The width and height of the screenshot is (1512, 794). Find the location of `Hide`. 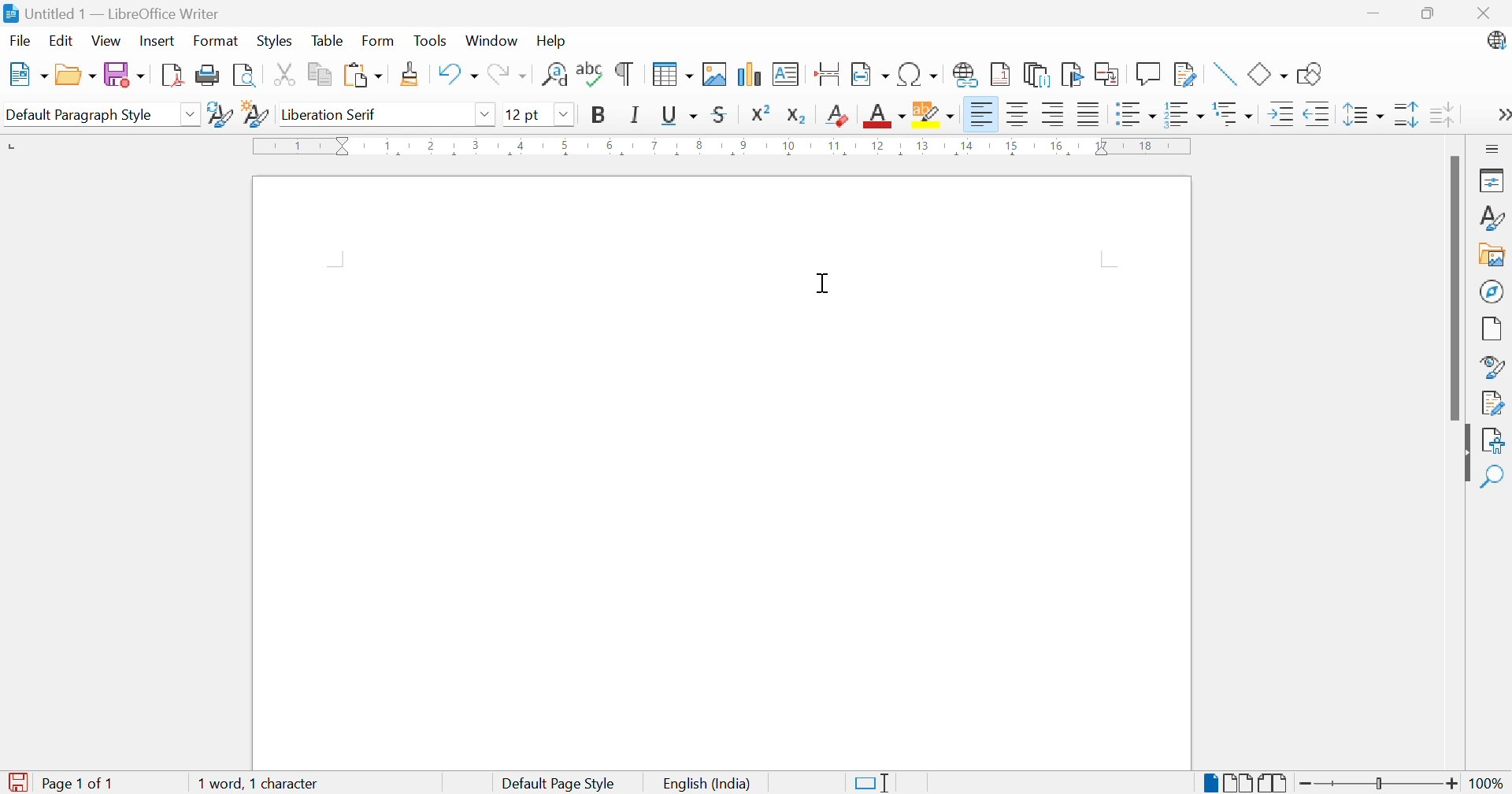

Hide is located at coordinates (1466, 460).